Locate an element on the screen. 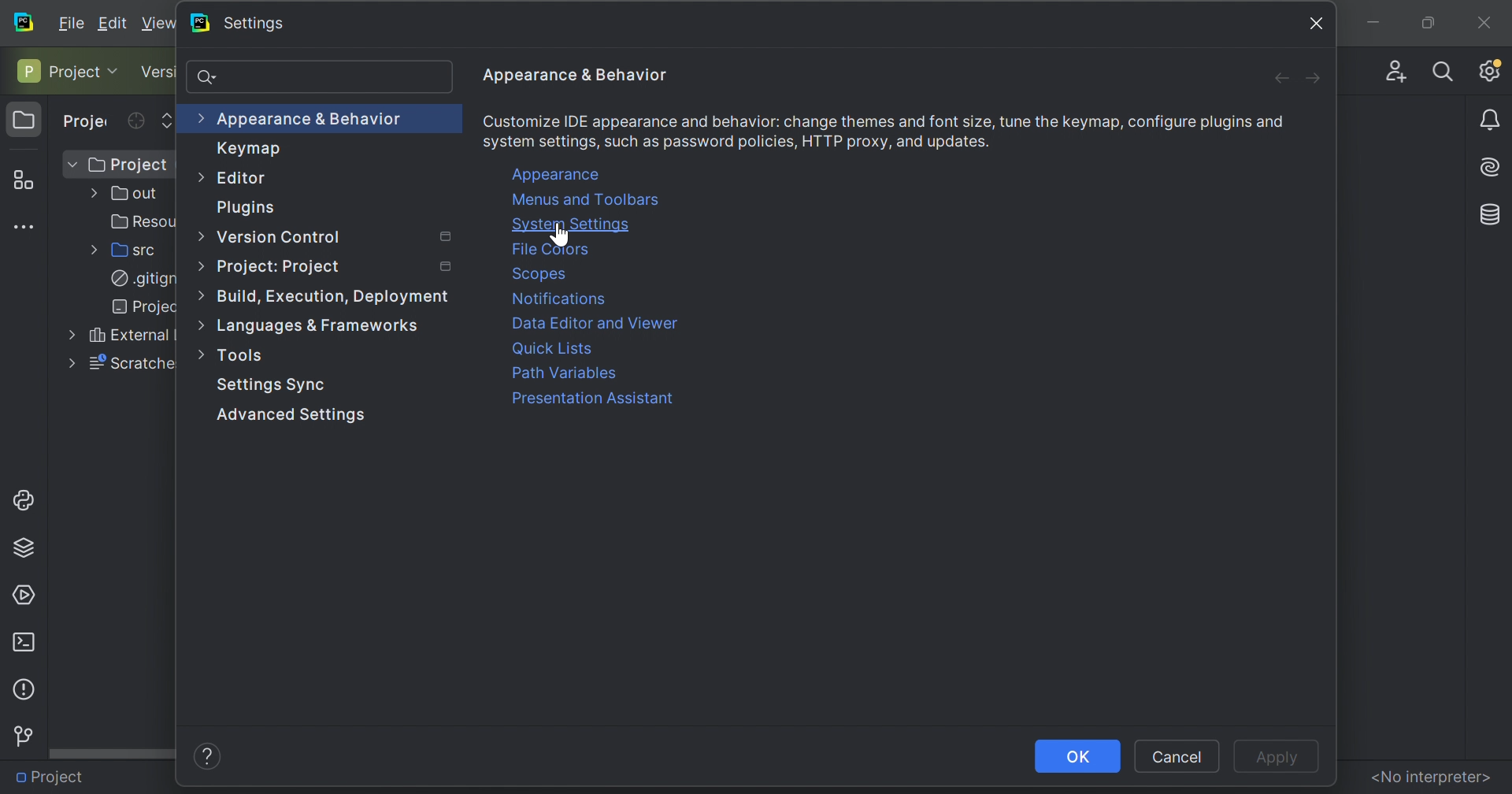 The image size is (1512, 794). Appearance is located at coordinates (558, 173).